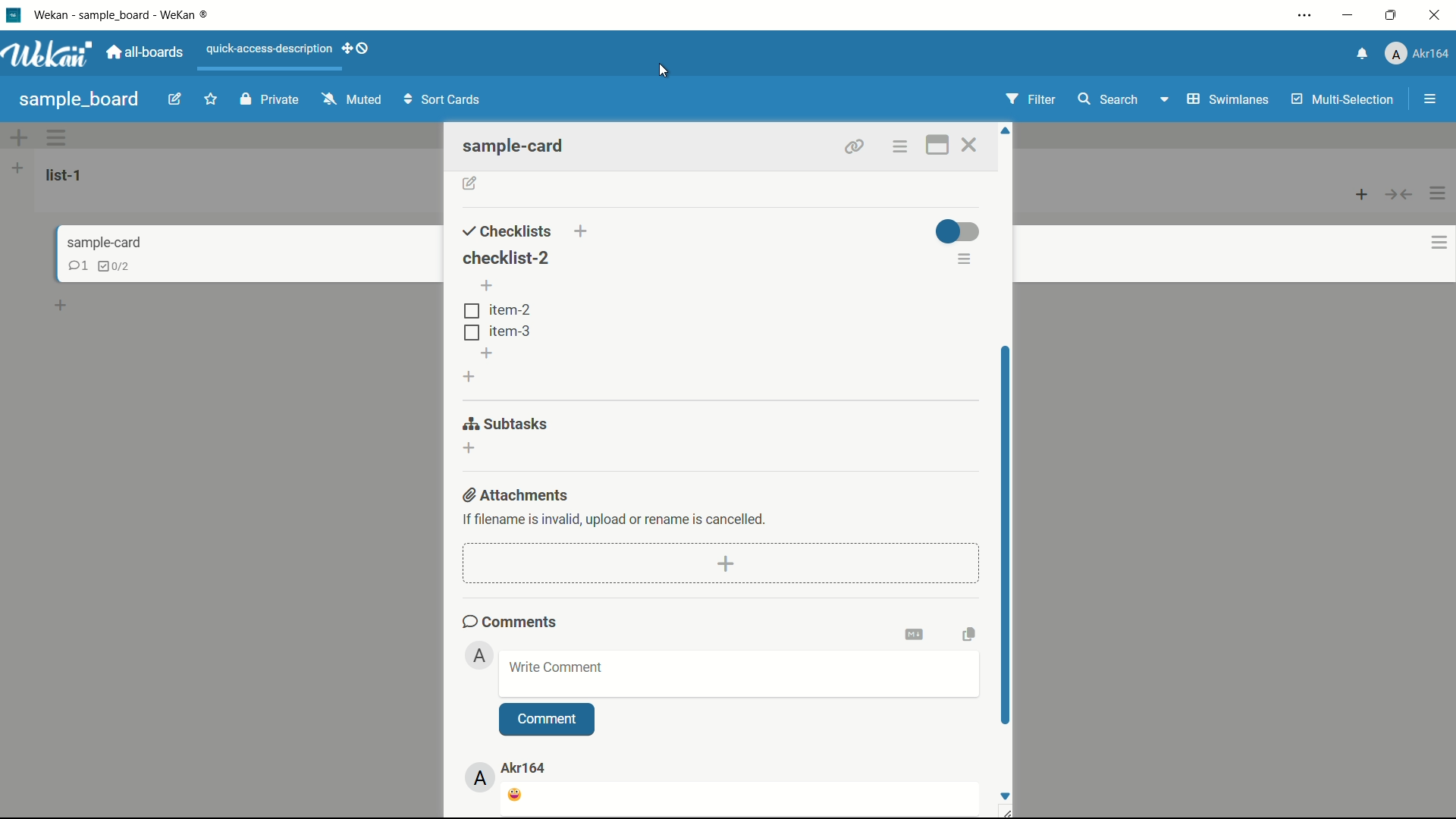  What do you see at coordinates (269, 49) in the screenshot?
I see `quick-access-description` at bounding box center [269, 49].